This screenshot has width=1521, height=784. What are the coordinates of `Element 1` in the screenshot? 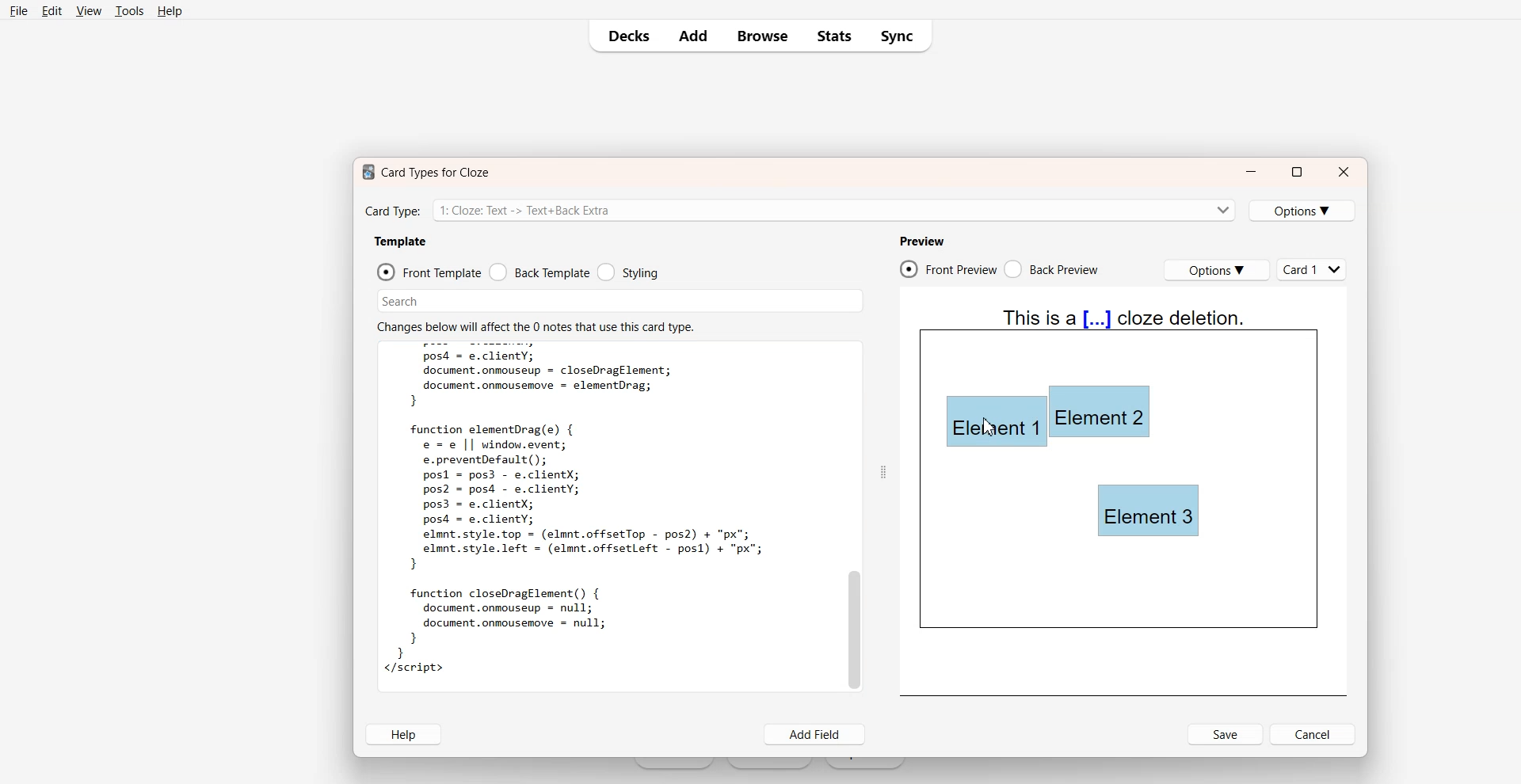 It's located at (990, 424).